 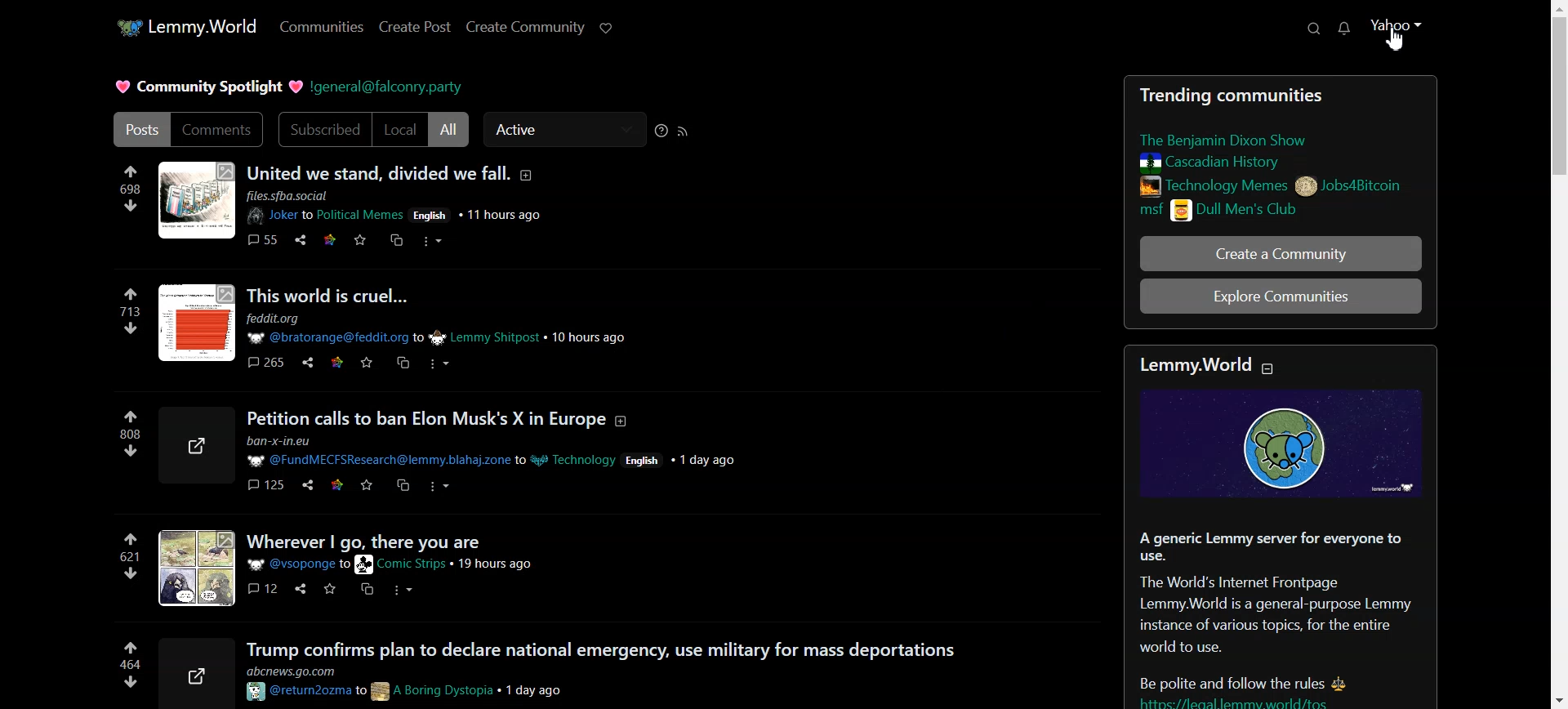 What do you see at coordinates (307, 489) in the screenshot?
I see `` at bounding box center [307, 489].